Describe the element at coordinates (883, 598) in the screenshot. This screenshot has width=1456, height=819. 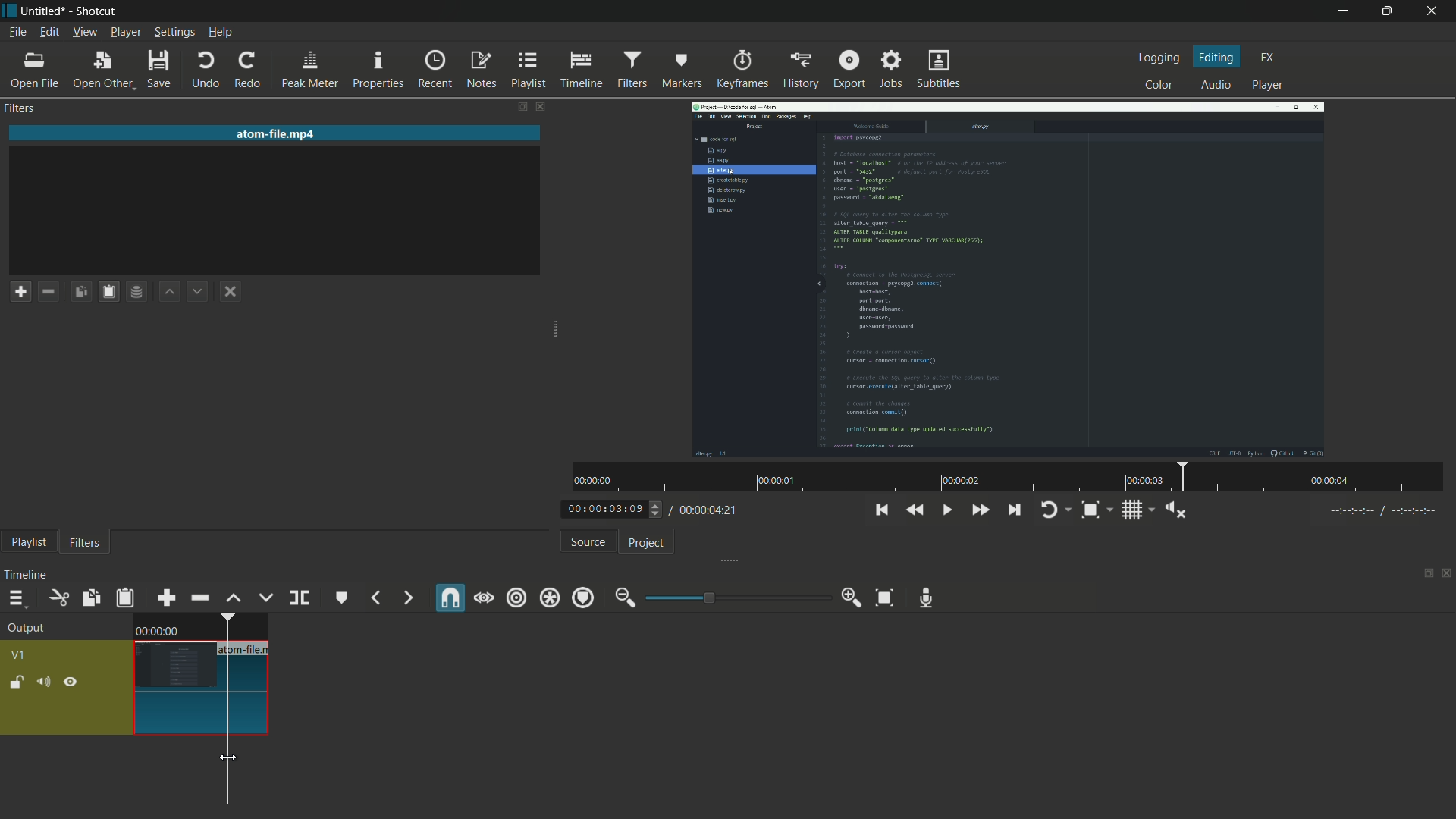
I see `zoom timeline to fit` at that location.